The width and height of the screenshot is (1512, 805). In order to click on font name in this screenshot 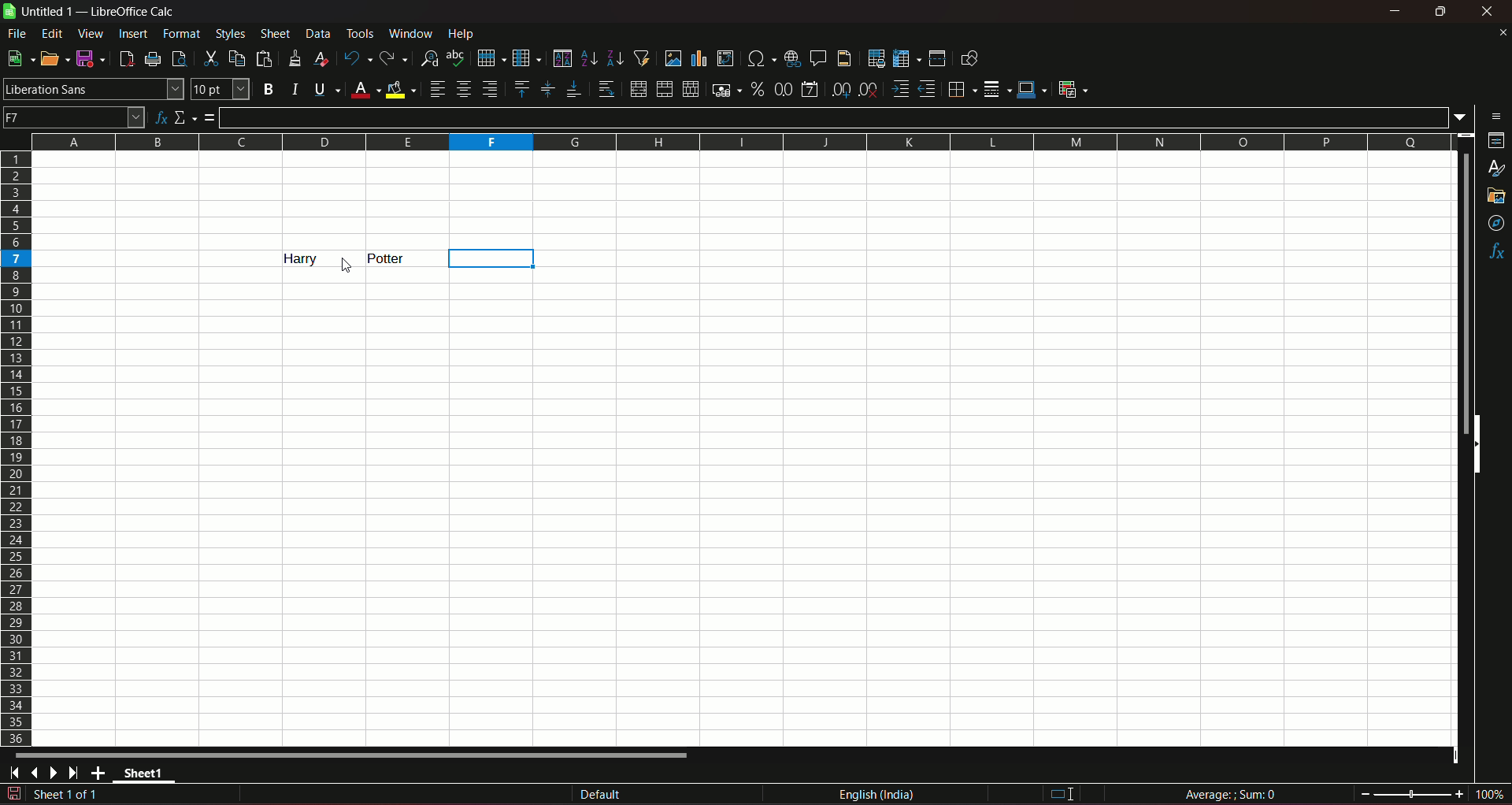, I will do `click(93, 88)`.